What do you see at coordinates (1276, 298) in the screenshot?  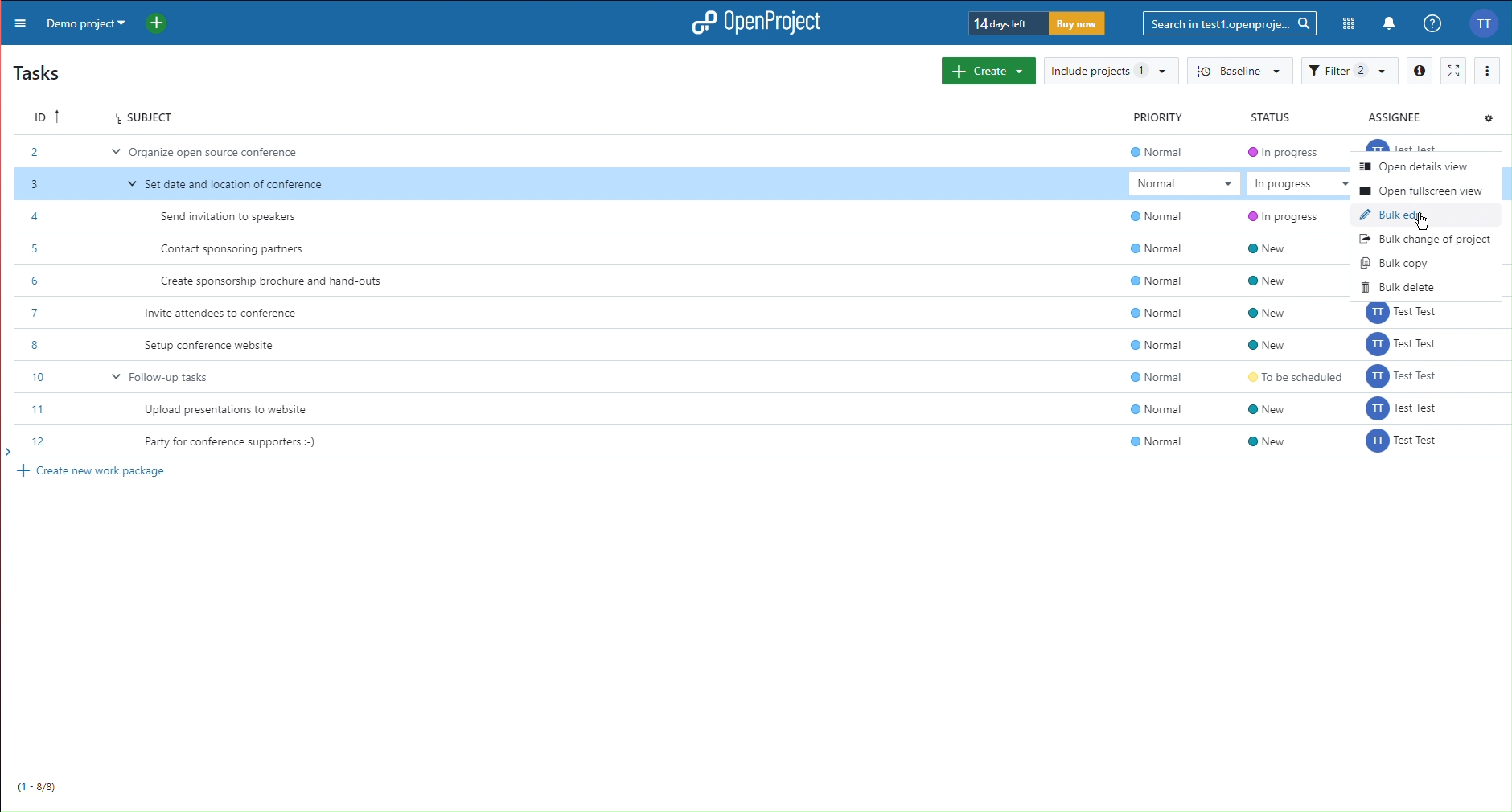 I see `new` at bounding box center [1276, 298].